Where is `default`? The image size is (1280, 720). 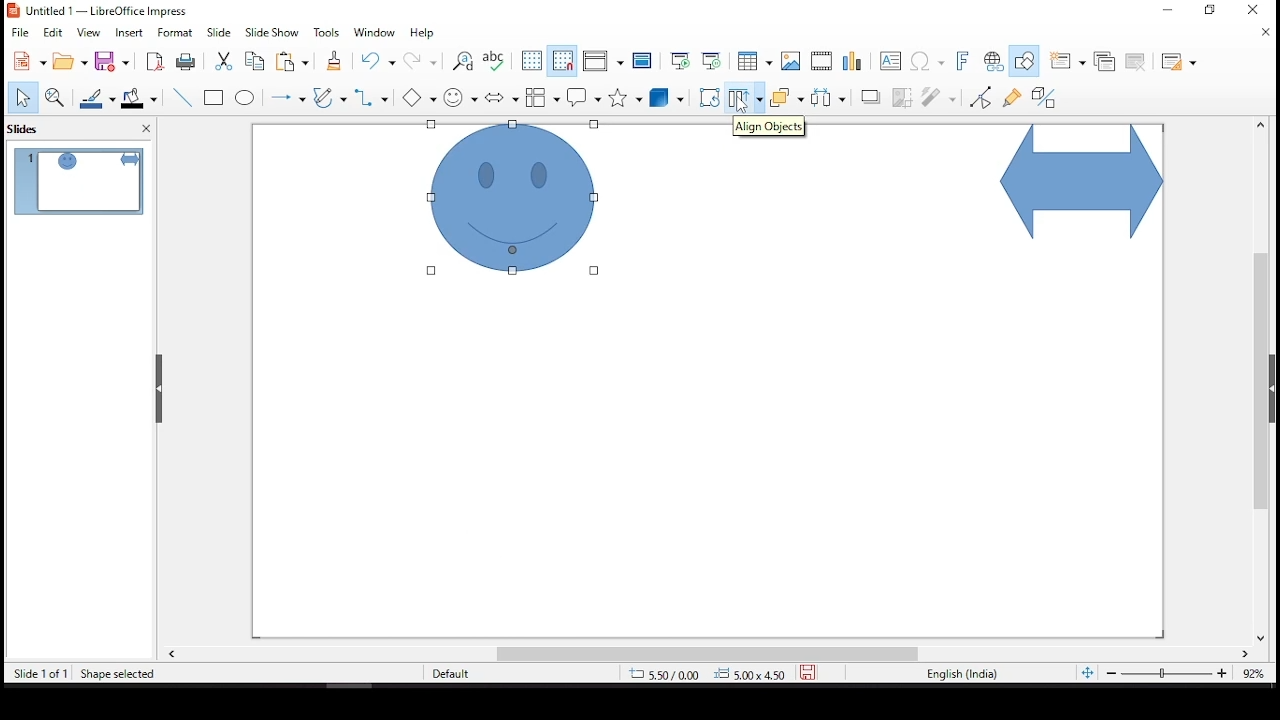 default is located at coordinates (468, 674).